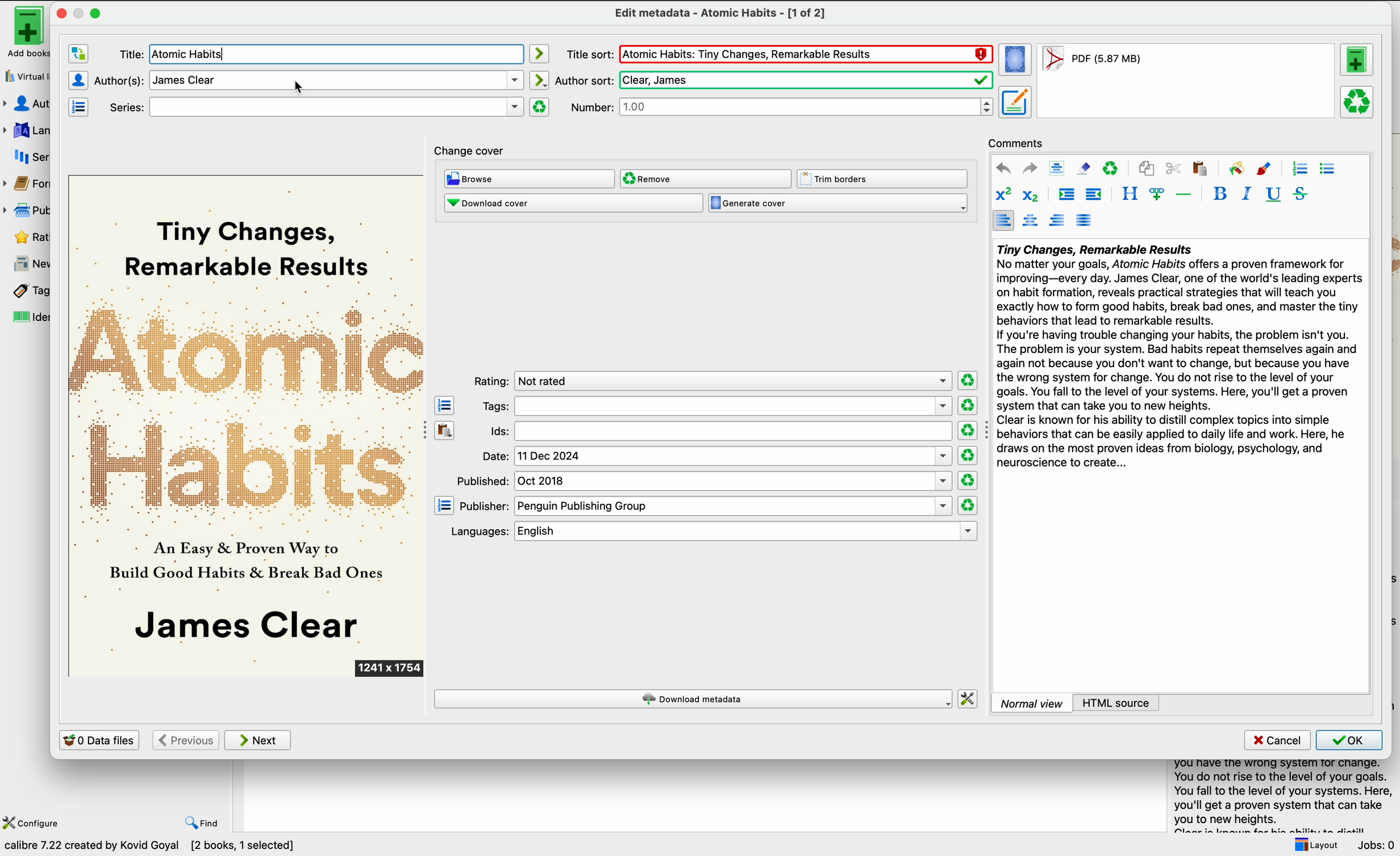 The image size is (1400, 856). I want to click on superscript, so click(1002, 194).